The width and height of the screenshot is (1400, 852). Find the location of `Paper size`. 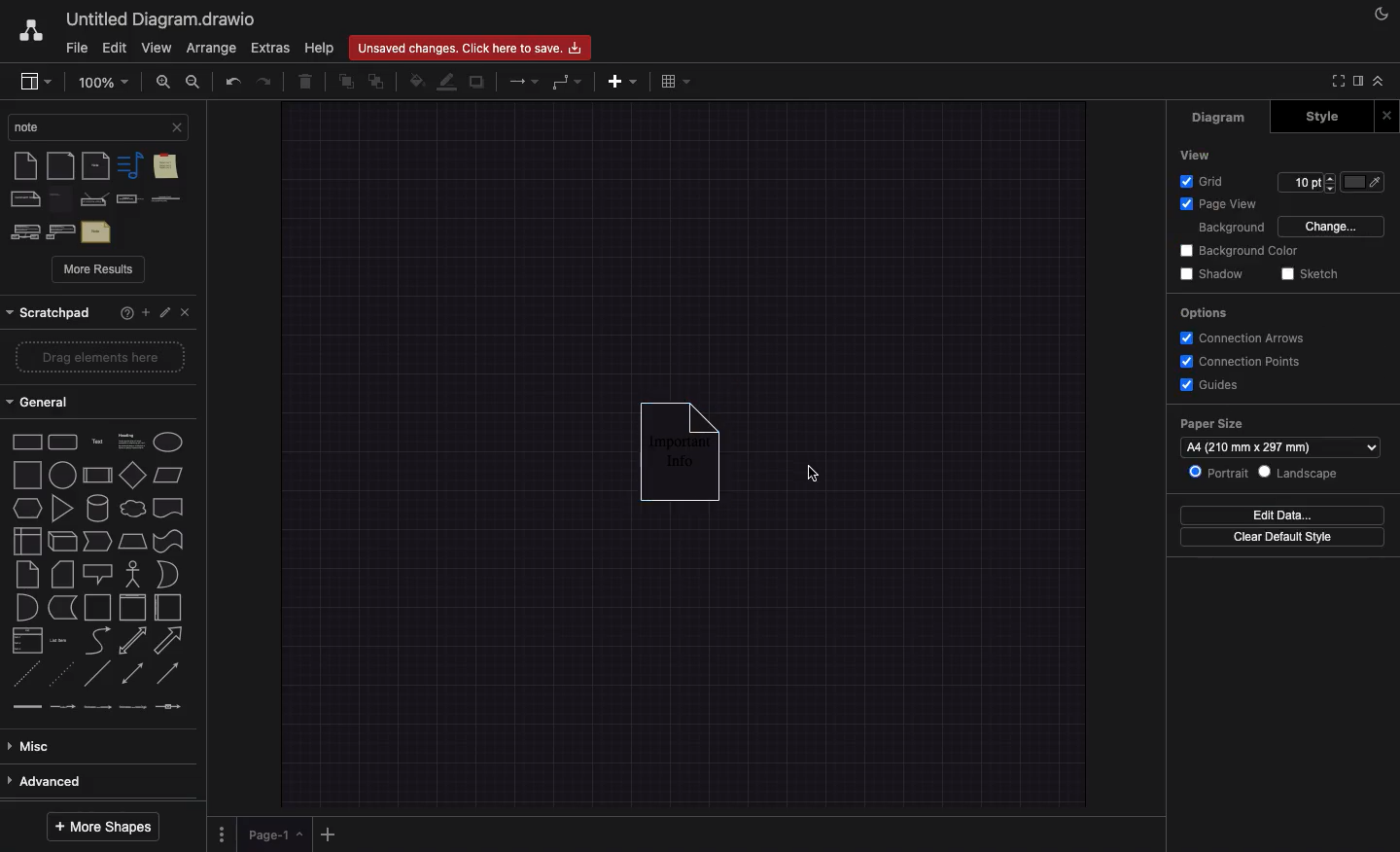

Paper size is located at coordinates (1281, 446).